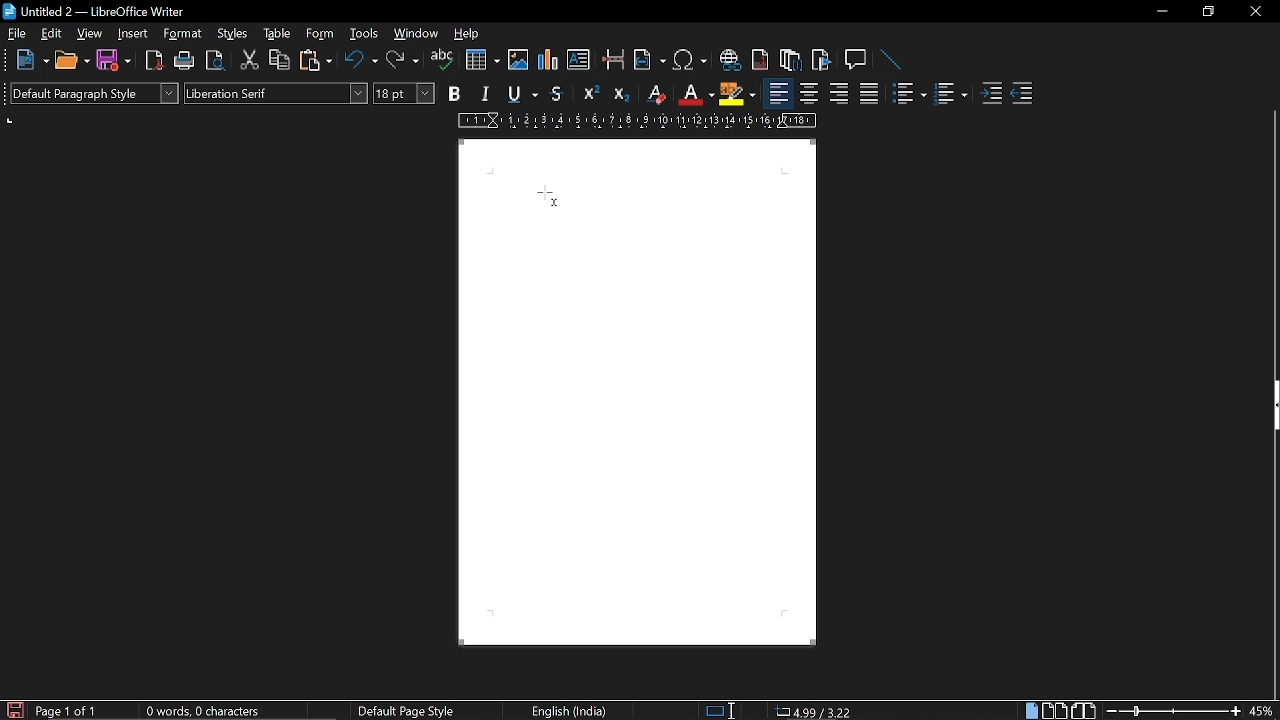 This screenshot has width=1280, height=720. I want to click on paragraph style, so click(94, 92).